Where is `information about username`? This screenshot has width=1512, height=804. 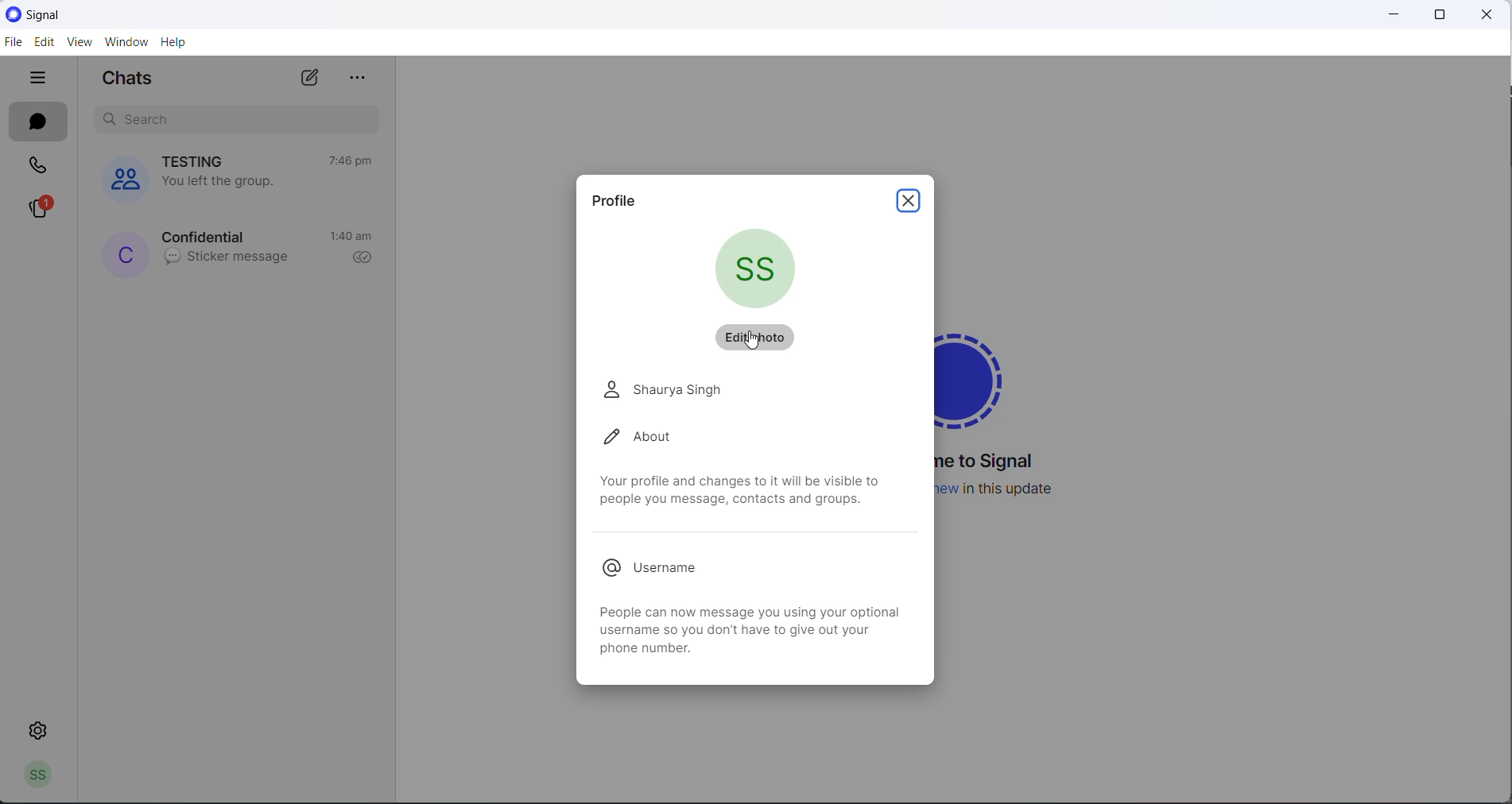
information about username is located at coordinates (754, 636).